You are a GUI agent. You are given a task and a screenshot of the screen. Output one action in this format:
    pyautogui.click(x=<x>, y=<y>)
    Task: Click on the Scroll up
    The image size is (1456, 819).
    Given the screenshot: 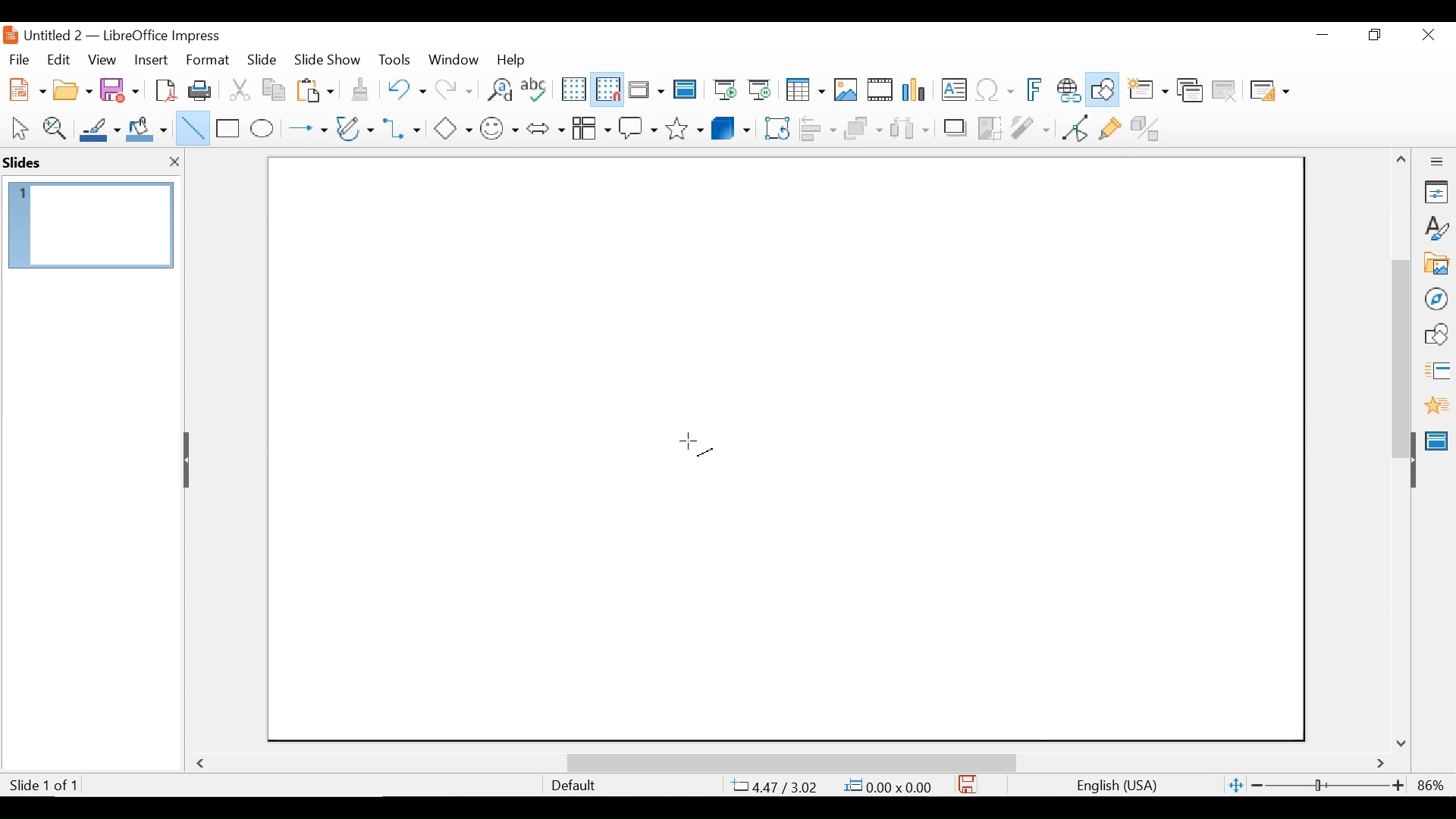 What is the action you would take?
    pyautogui.click(x=1402, y=159)
    